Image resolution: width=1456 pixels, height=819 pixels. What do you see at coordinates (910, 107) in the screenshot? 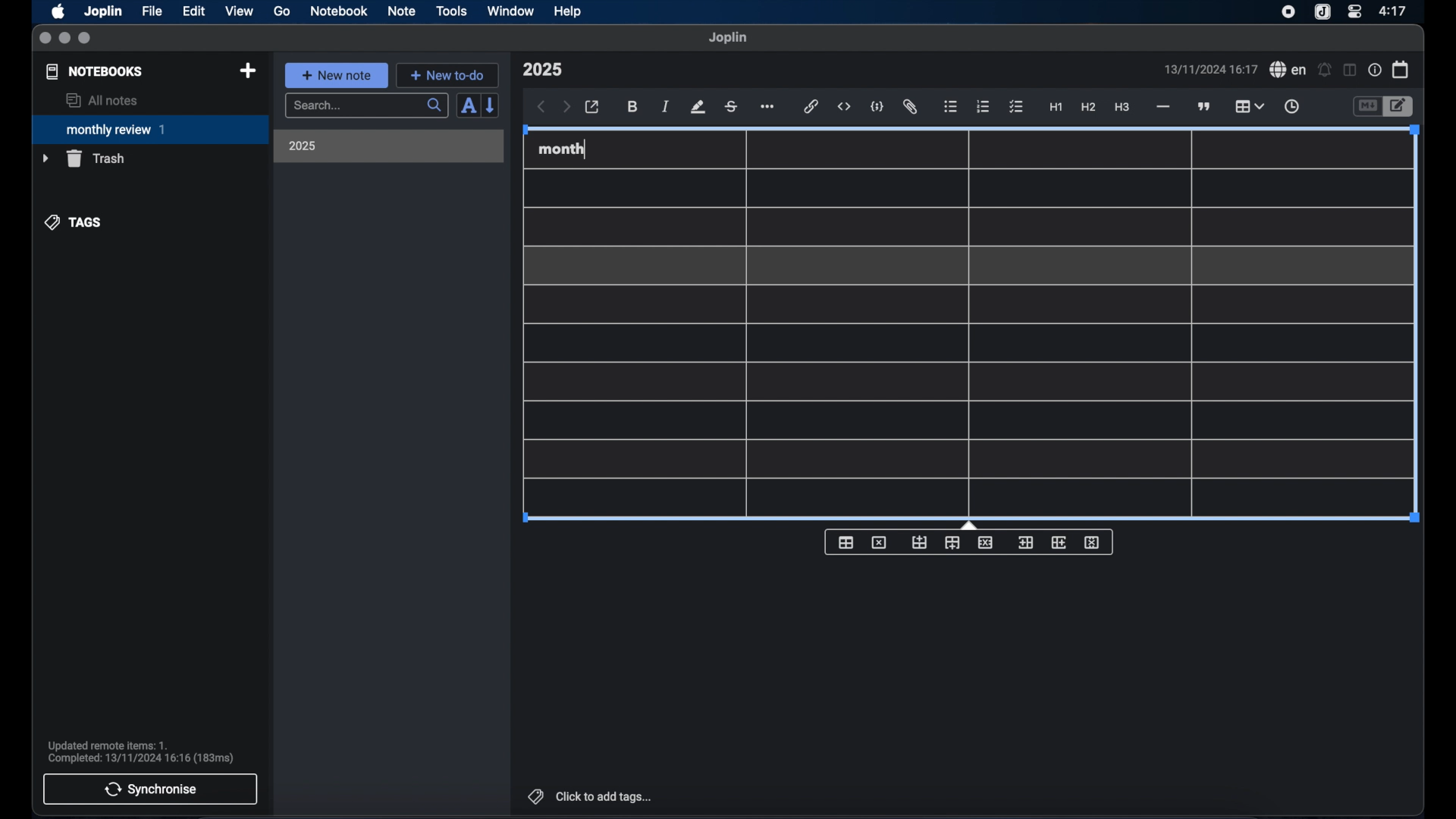
I see `attach file` at bounding box center [910, 107].